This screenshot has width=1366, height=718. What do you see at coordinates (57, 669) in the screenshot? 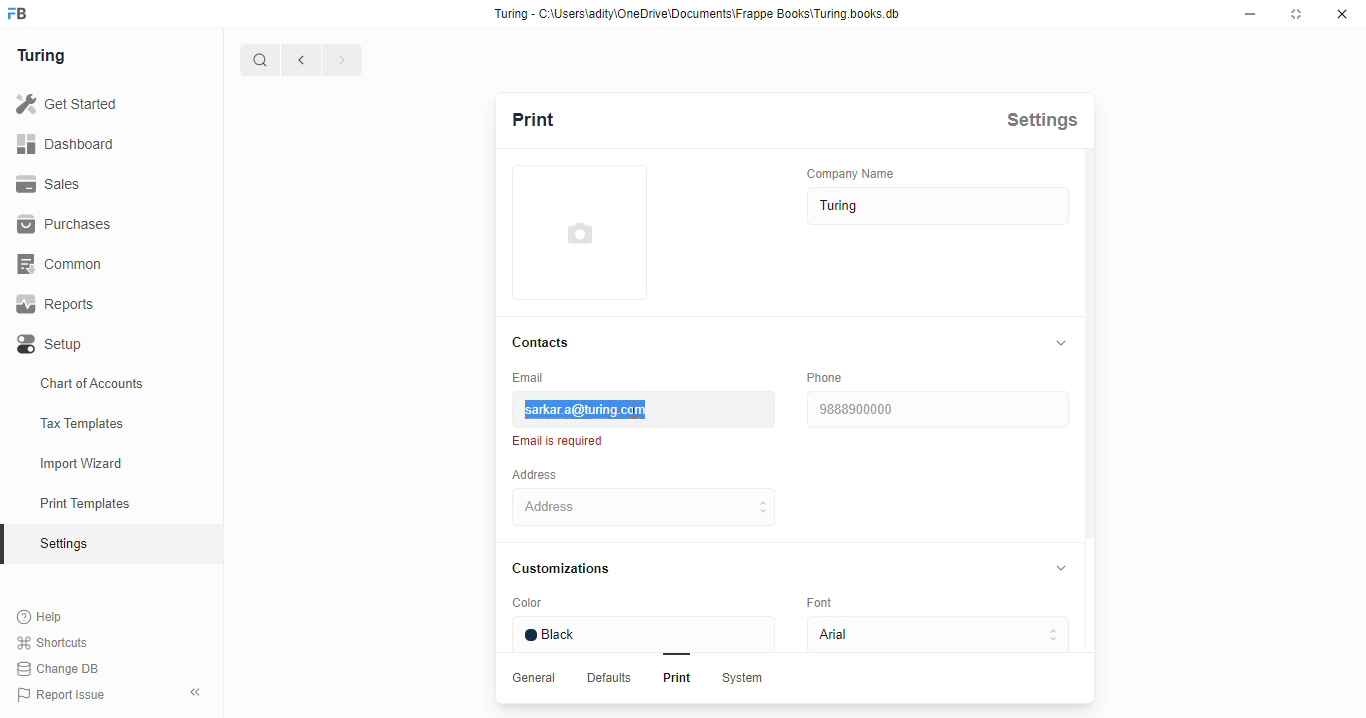
I see `Change DB` at bounding box center [57, 669].